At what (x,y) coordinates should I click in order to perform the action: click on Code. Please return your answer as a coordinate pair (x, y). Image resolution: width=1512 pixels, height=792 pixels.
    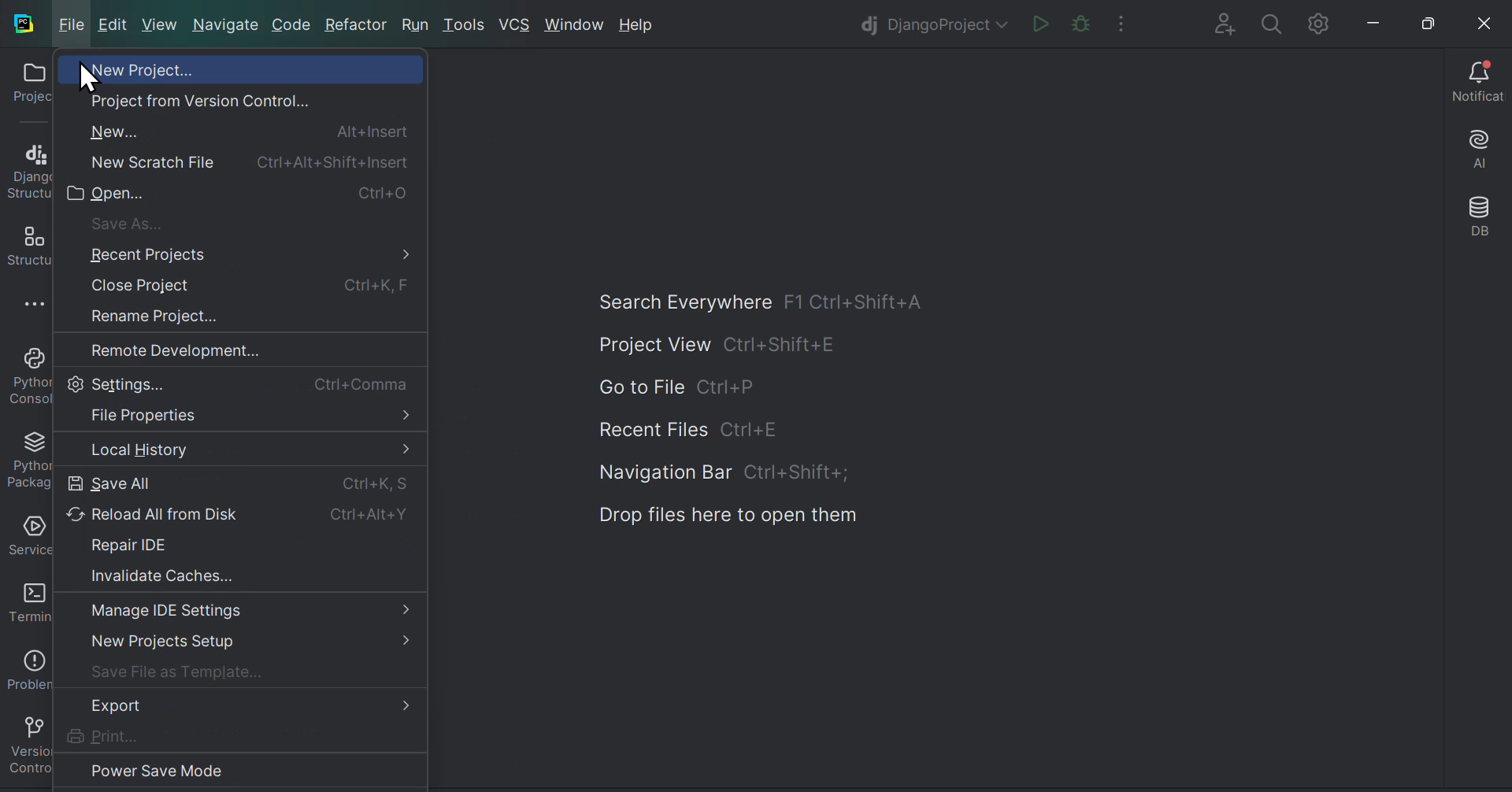
    Looking at the image, I should click on (292, 25).